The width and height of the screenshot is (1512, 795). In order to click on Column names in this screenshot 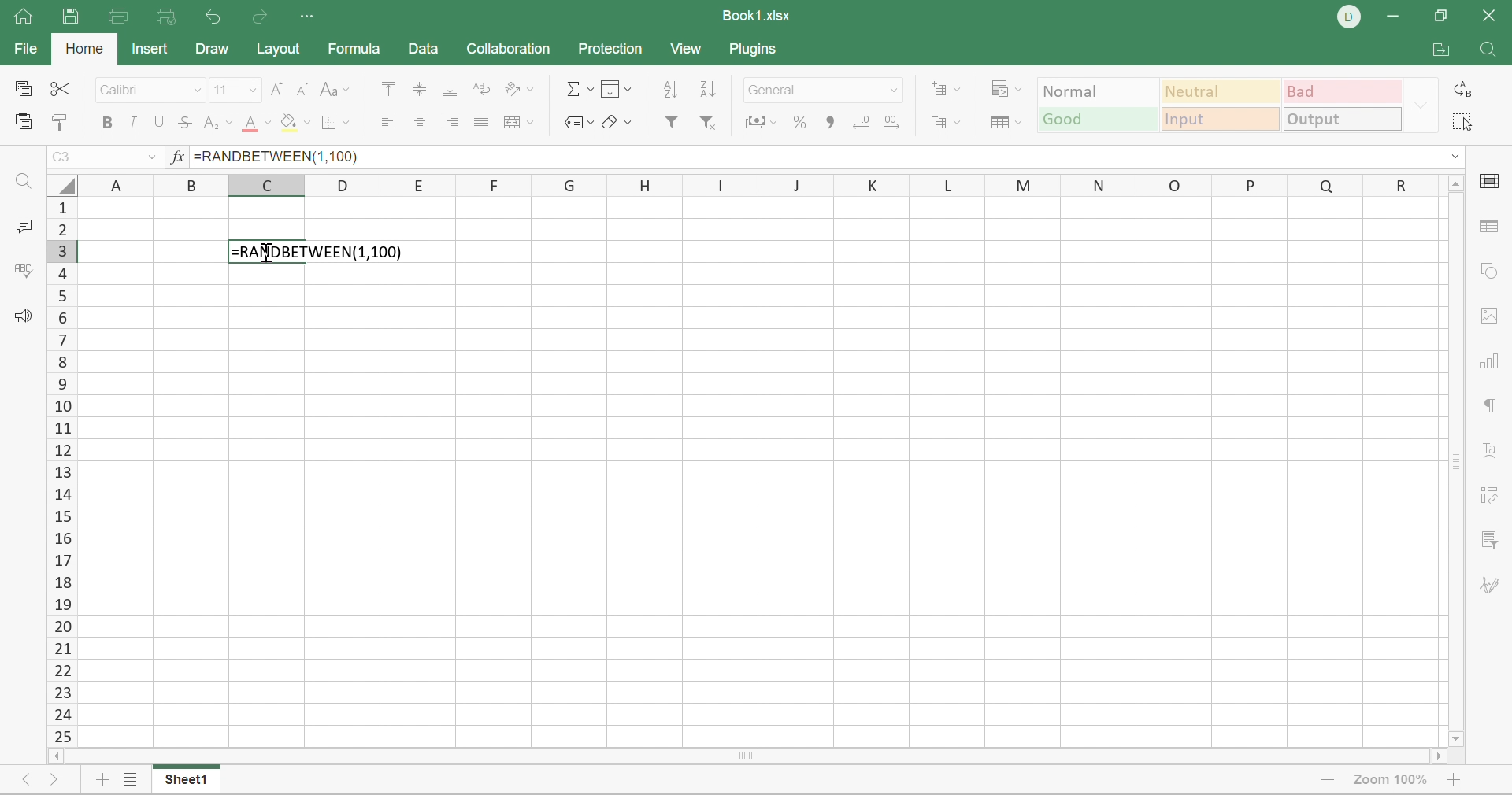, I will do `click(758, 184)`.